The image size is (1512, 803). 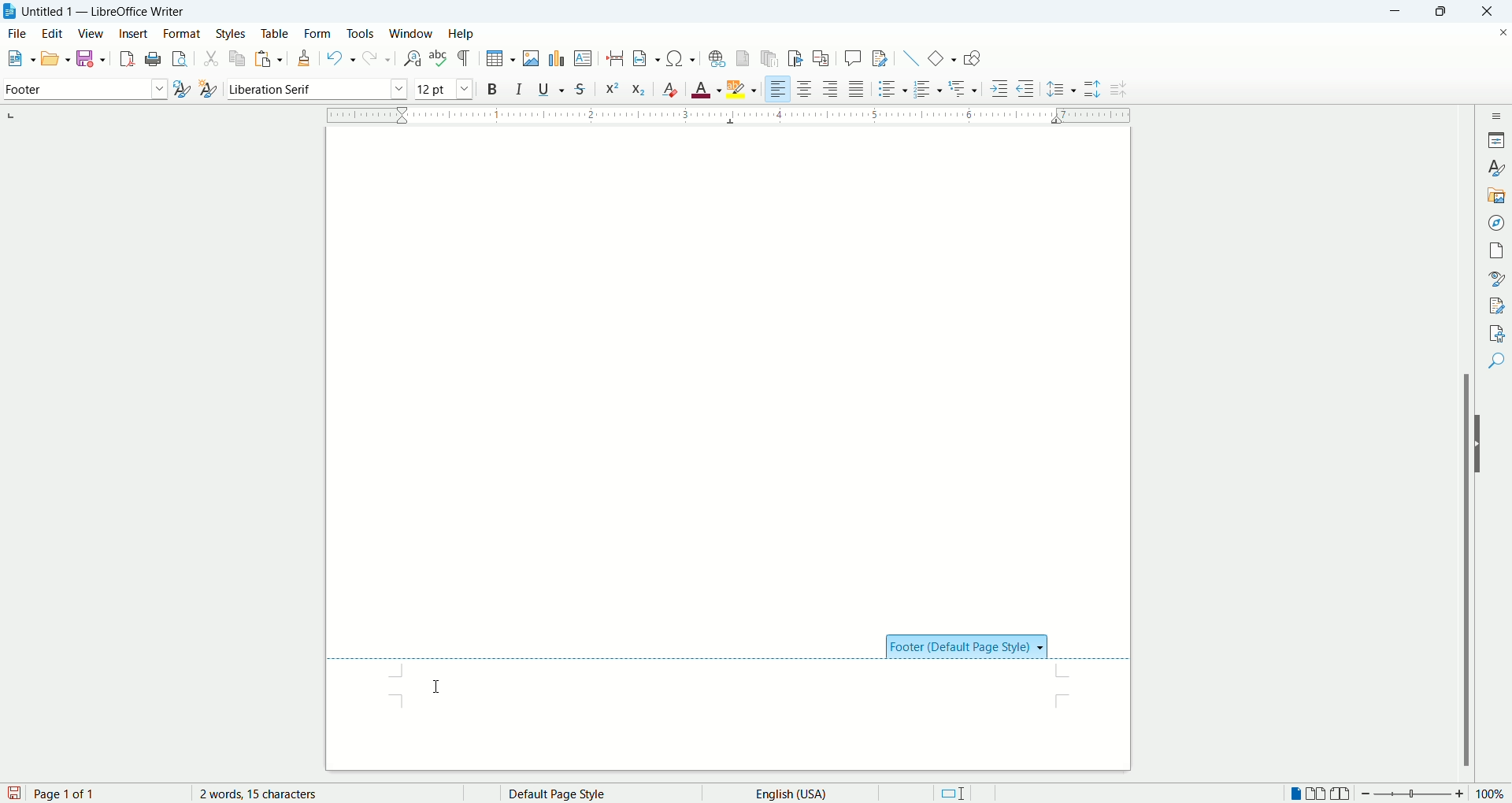 I want to click on help, so click(x=461, y=34).